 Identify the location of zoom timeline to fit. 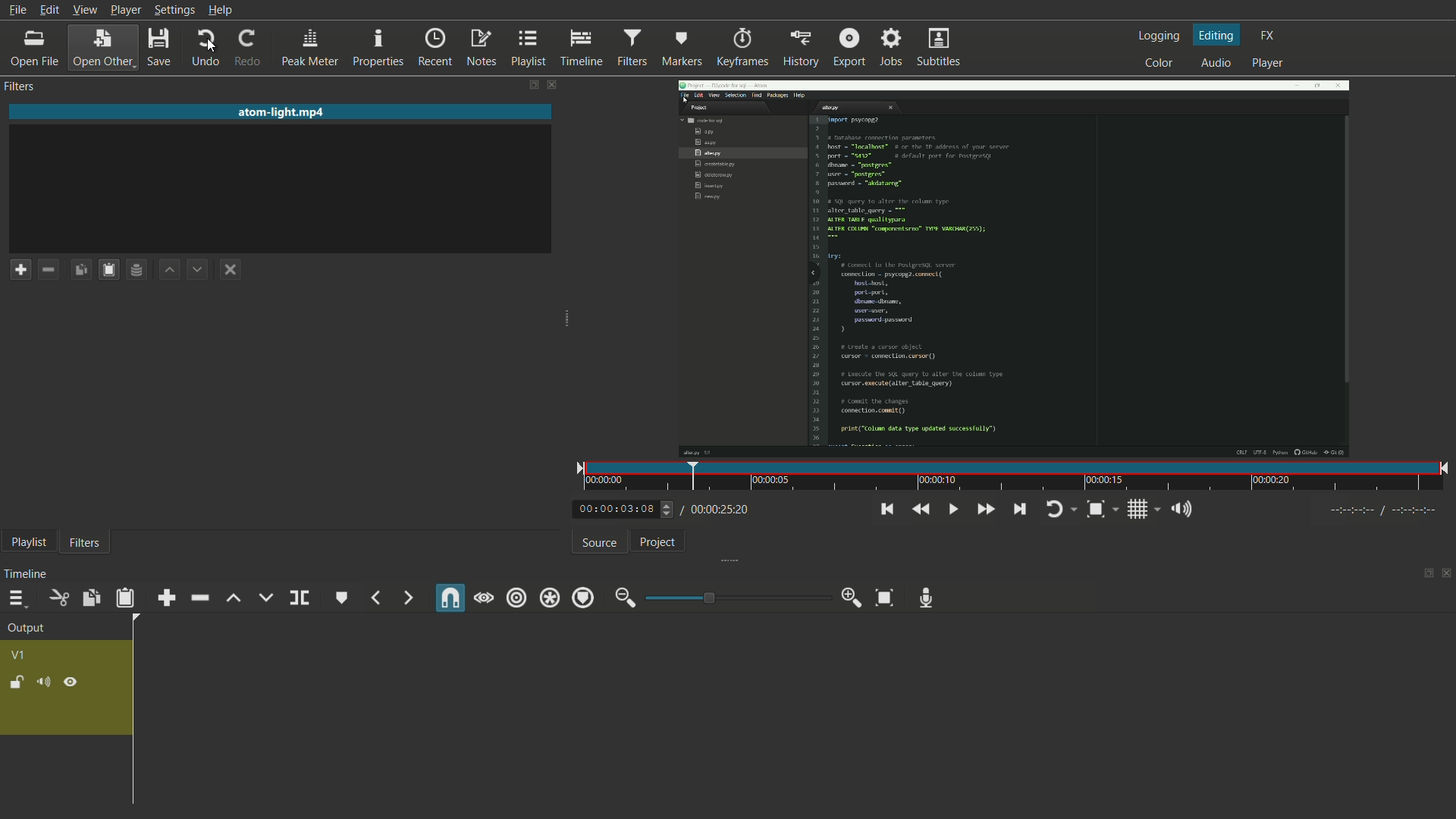
(1097, 510).